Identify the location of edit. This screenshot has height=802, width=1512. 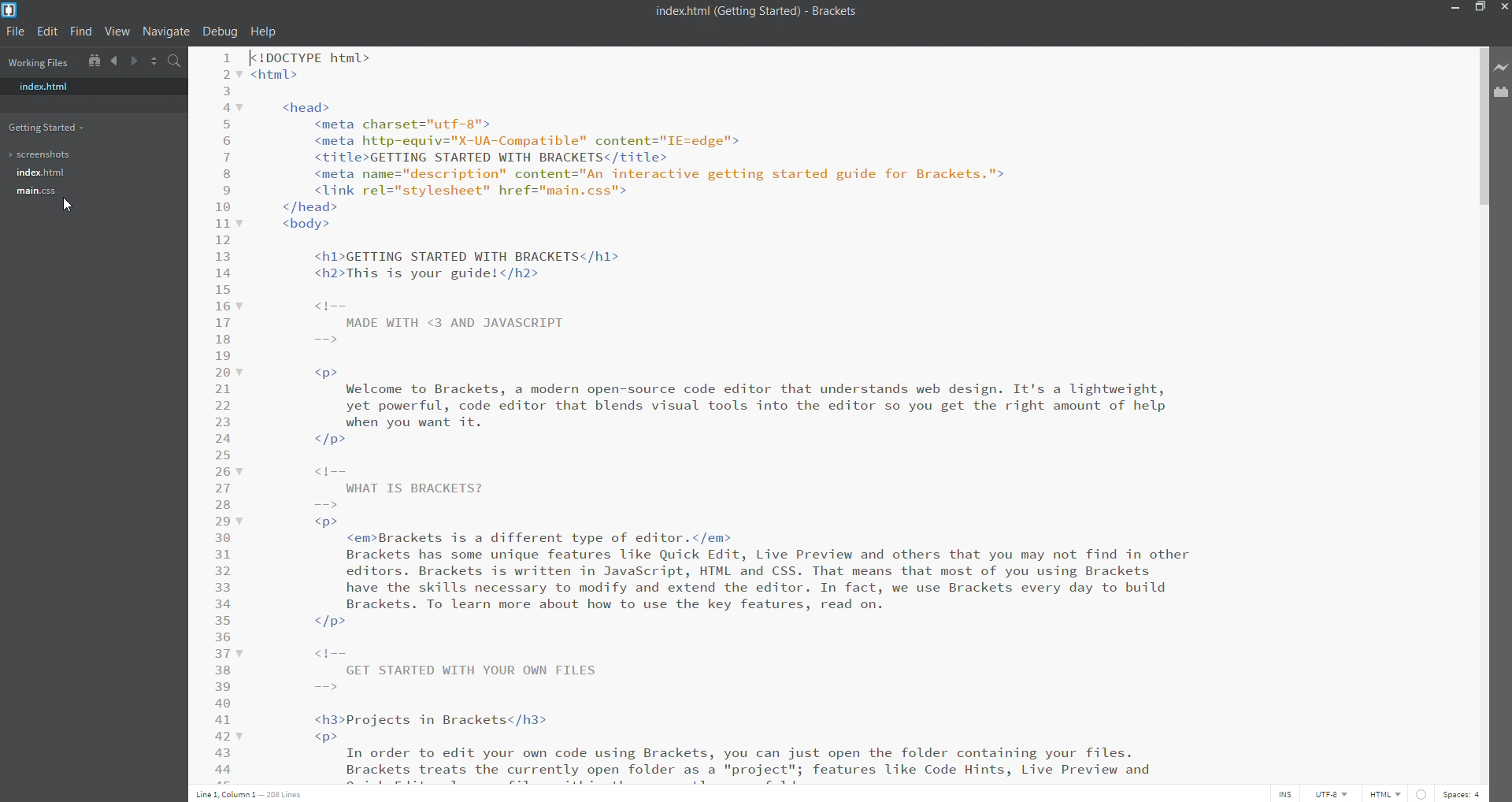
(50, 31).